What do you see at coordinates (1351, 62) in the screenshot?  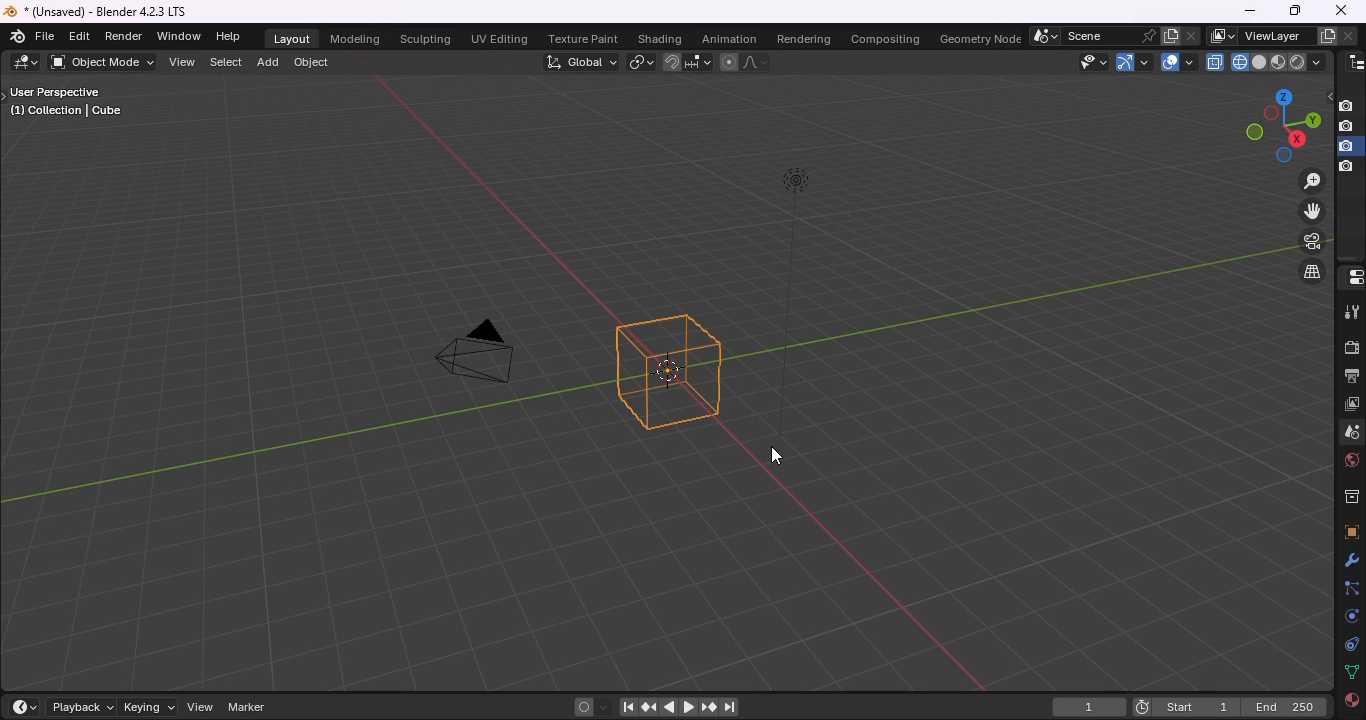 I see `editor type` at bounding box center [1351, 62].